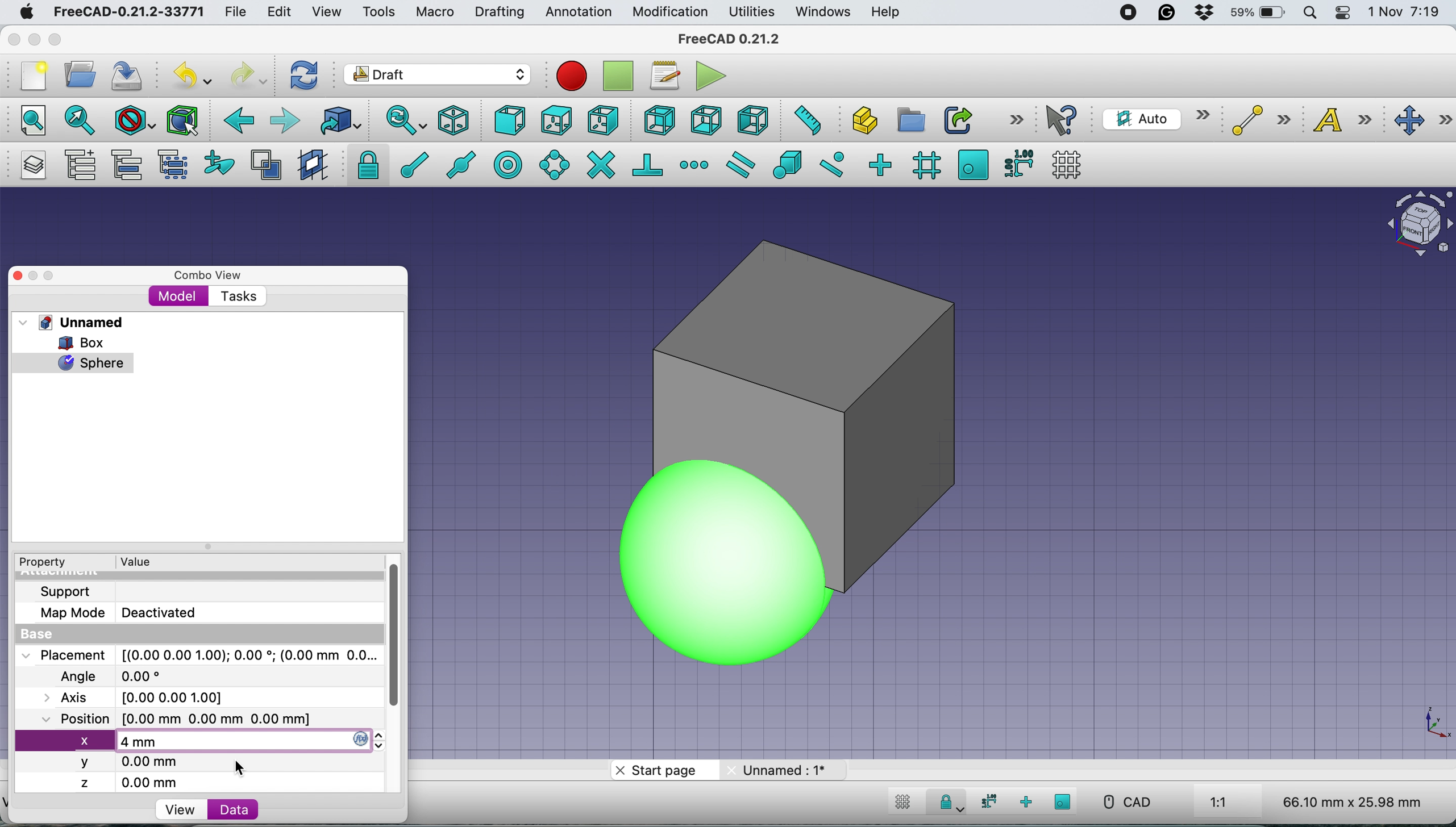 This screenshot has width=1456, height=827. I want to click on snap intersection, so click(600, 164).